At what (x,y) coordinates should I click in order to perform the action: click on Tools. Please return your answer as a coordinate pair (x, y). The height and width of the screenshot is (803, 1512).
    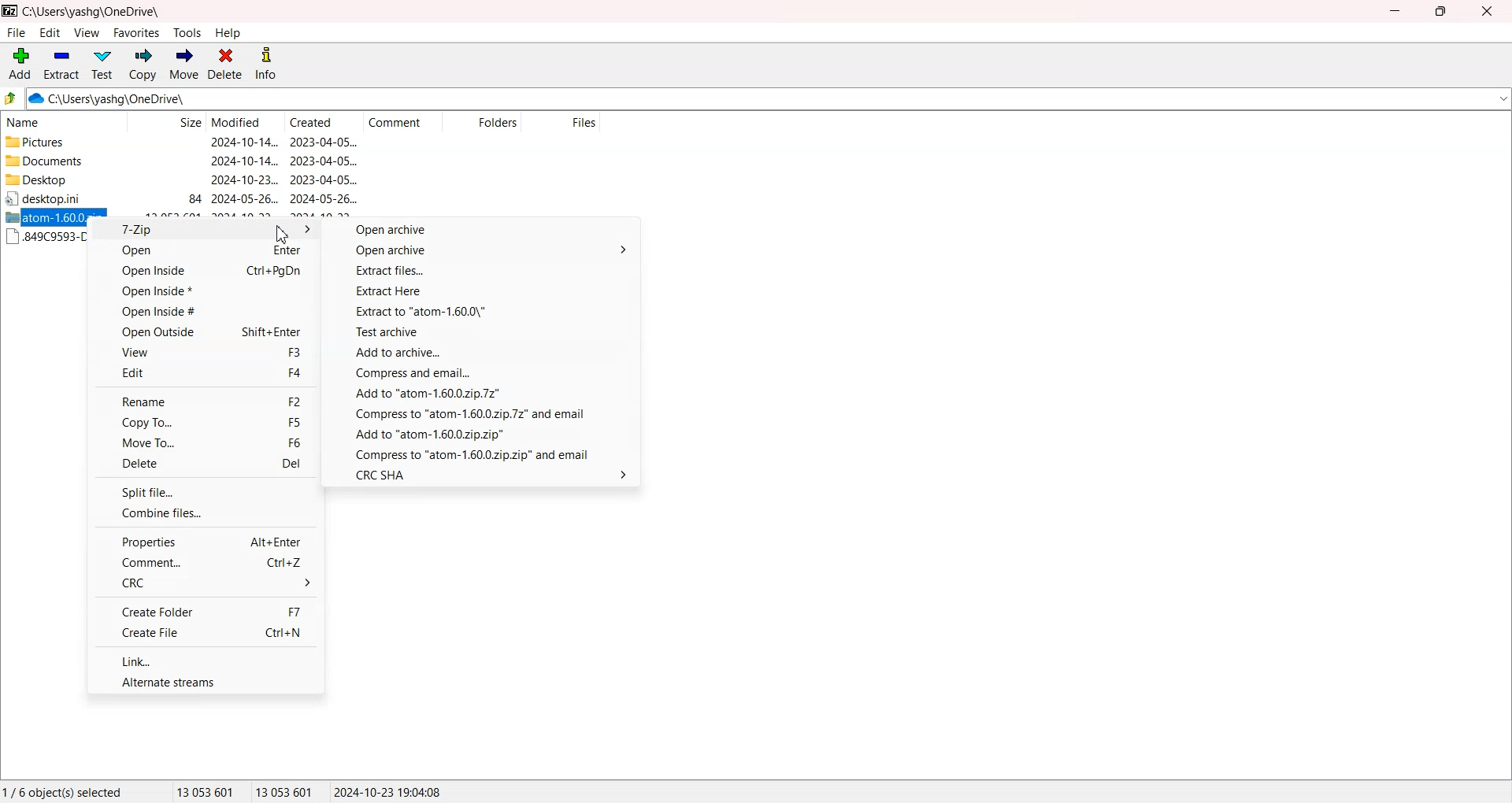
    Looking at the image, I should click on (188, 33).